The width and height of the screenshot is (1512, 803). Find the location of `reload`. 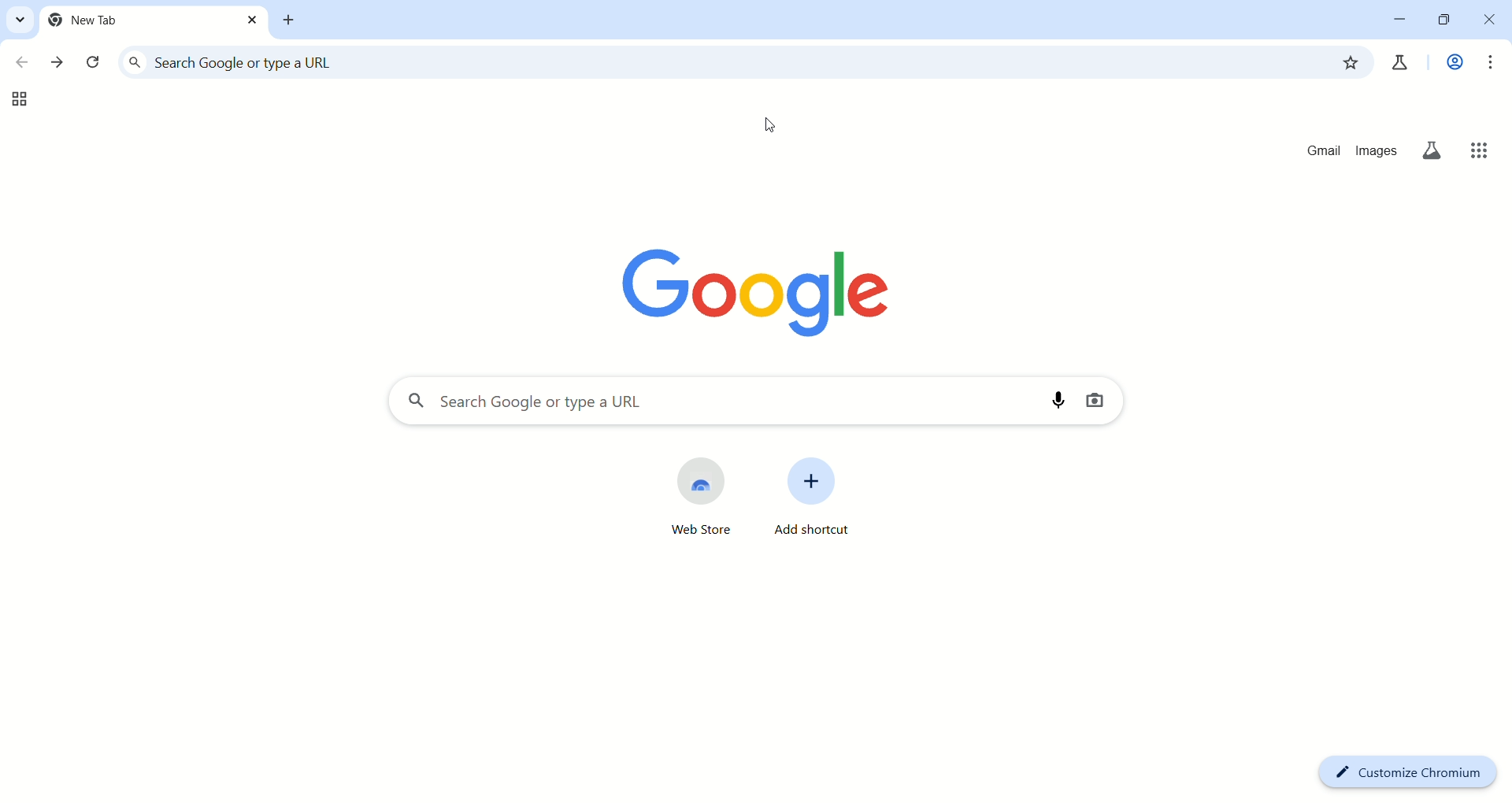

reload is located at coordinates (95, 65).